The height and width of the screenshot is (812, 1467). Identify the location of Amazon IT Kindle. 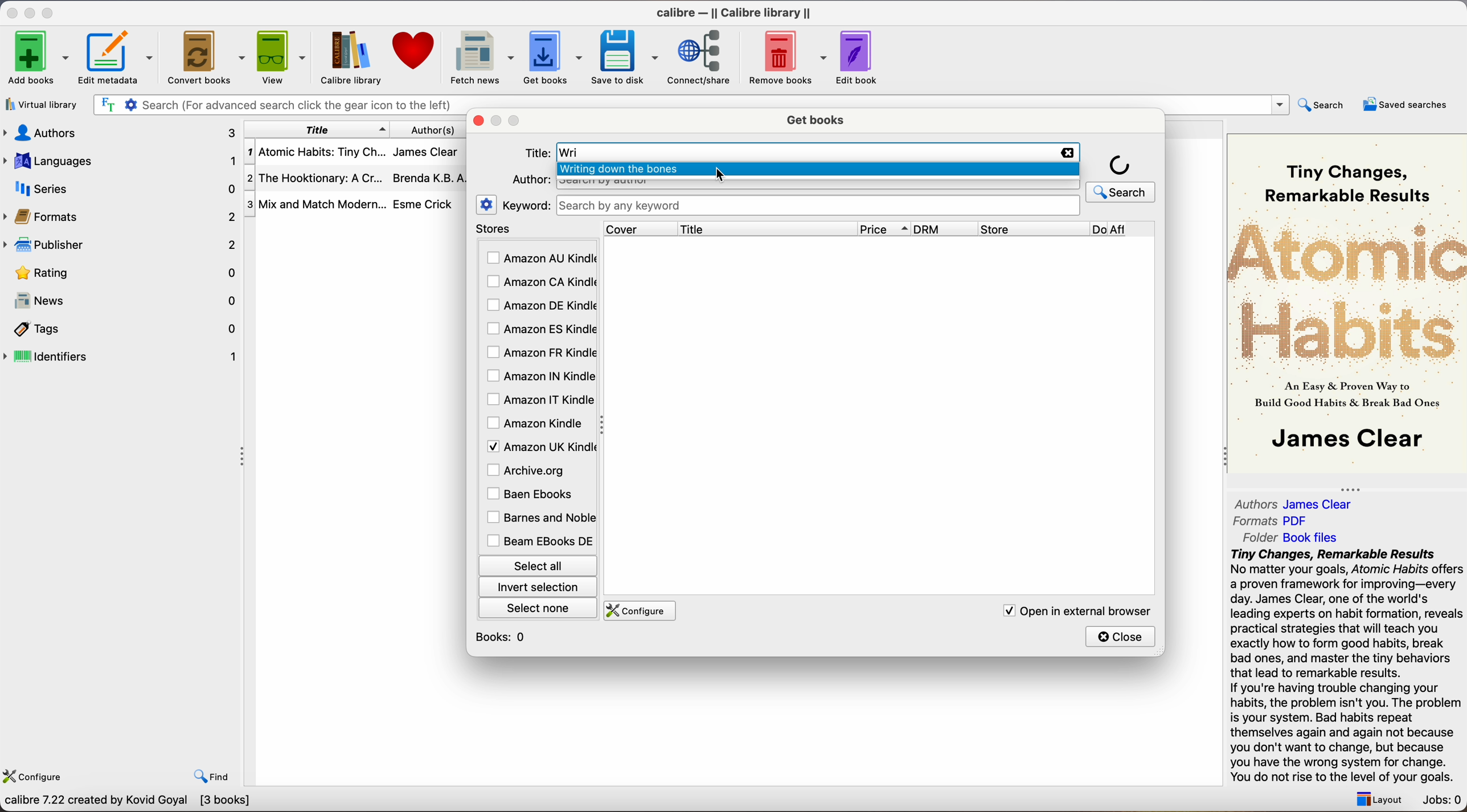
(541, 400).